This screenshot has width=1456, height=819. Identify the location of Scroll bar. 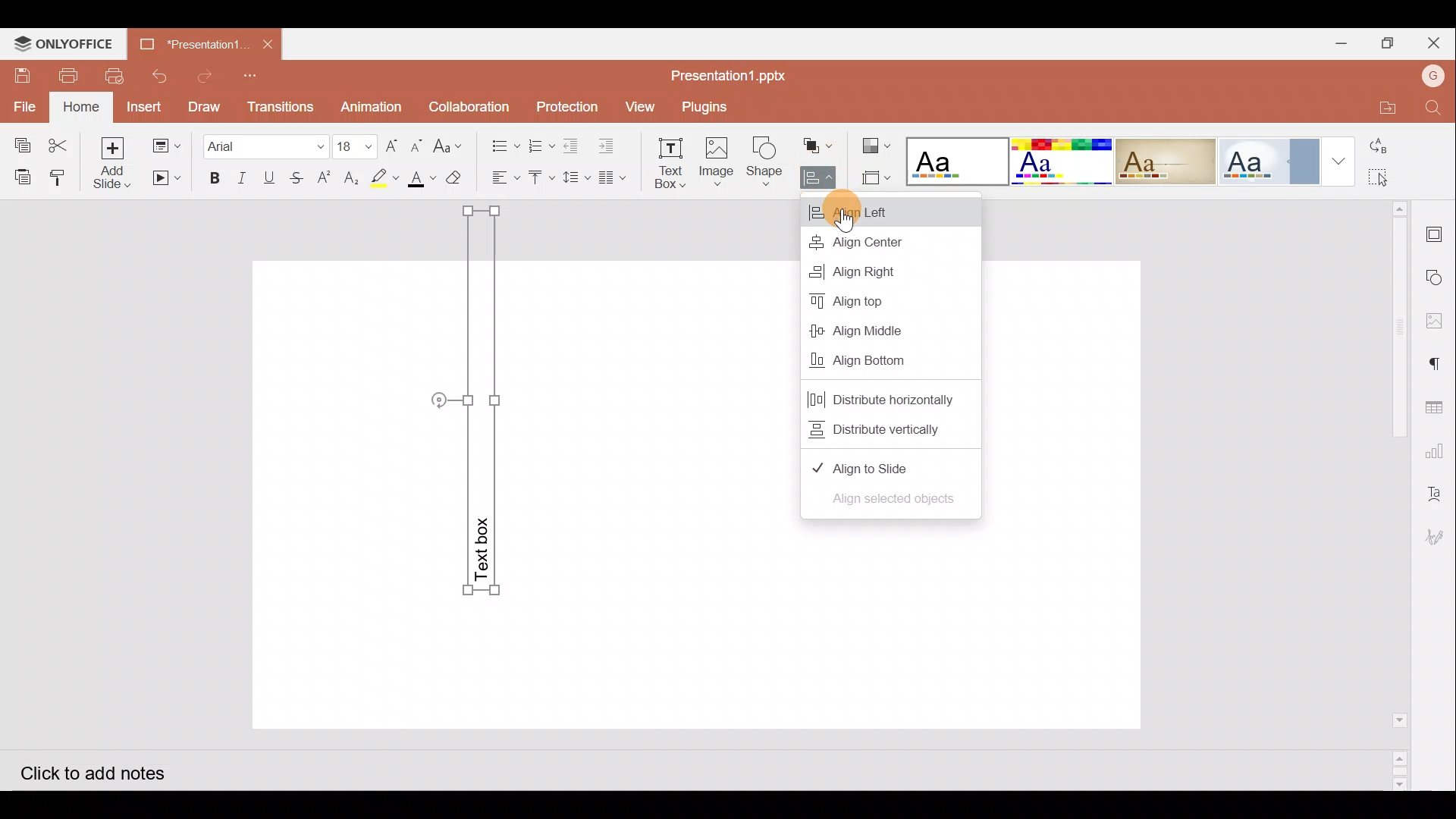
(1394, 495).